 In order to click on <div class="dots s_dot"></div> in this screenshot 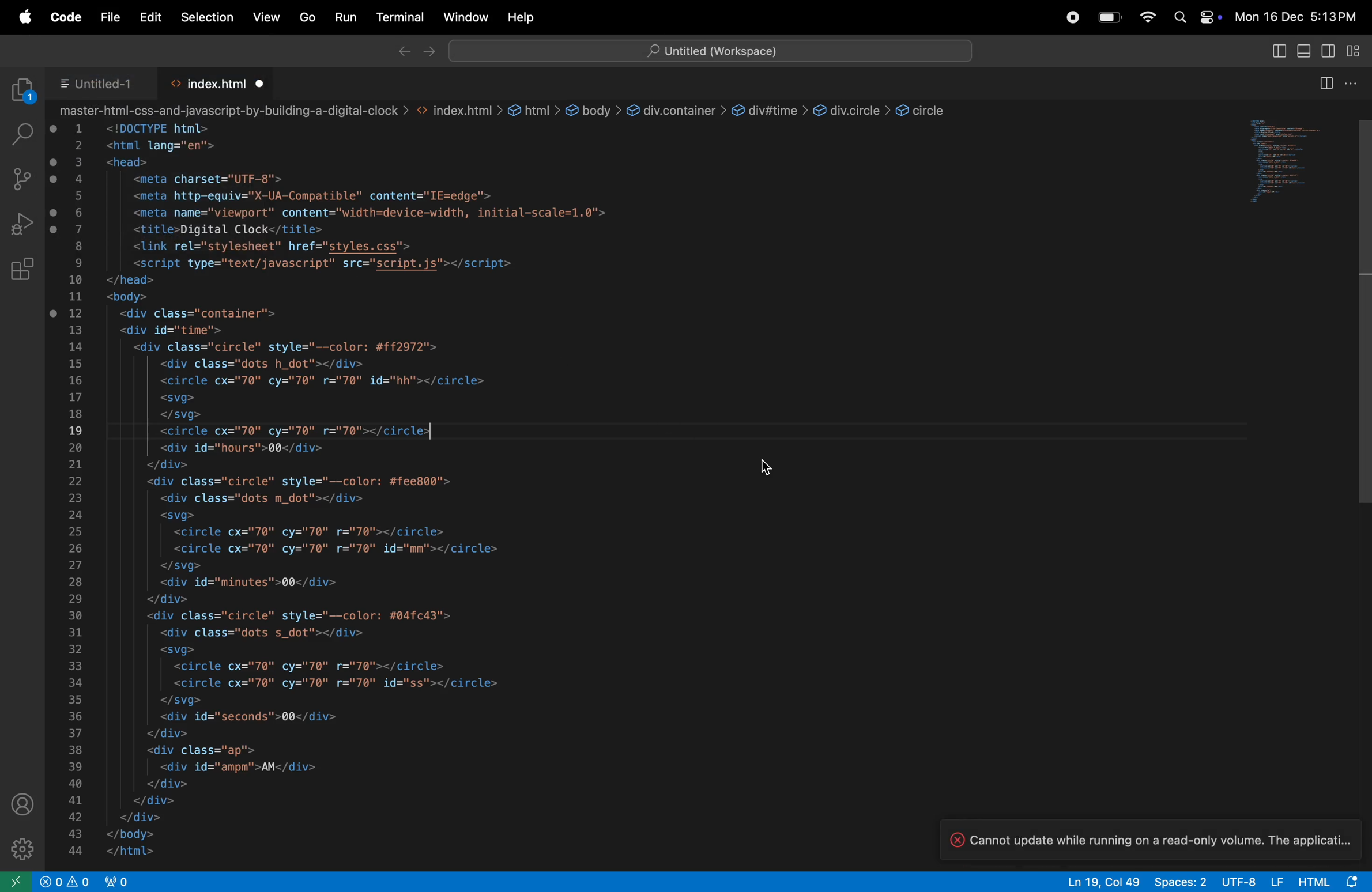, I will do `click(273, 633)`.